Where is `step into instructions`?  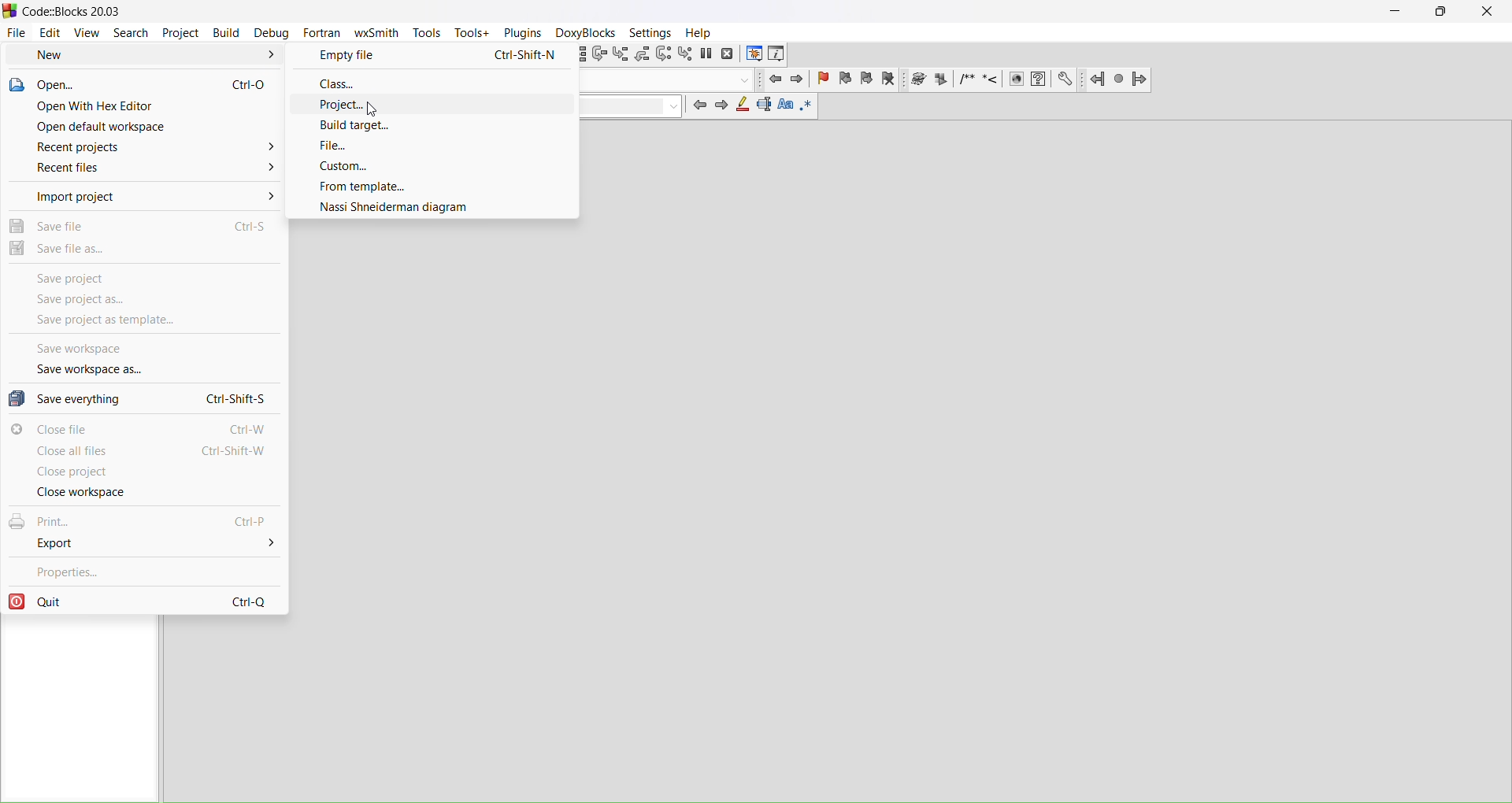
step into instructions is located at coordinates (686, 55).